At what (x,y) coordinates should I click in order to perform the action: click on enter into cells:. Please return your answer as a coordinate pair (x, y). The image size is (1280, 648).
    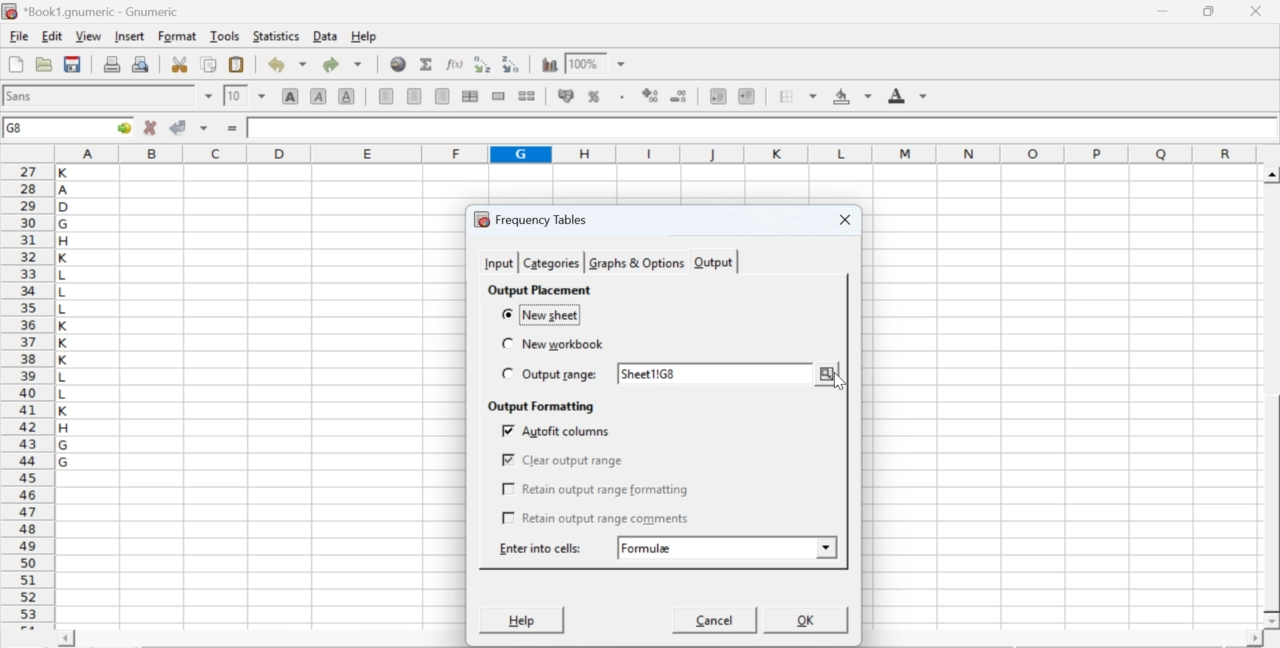
    Looking at the image, I should click on (542, 548).